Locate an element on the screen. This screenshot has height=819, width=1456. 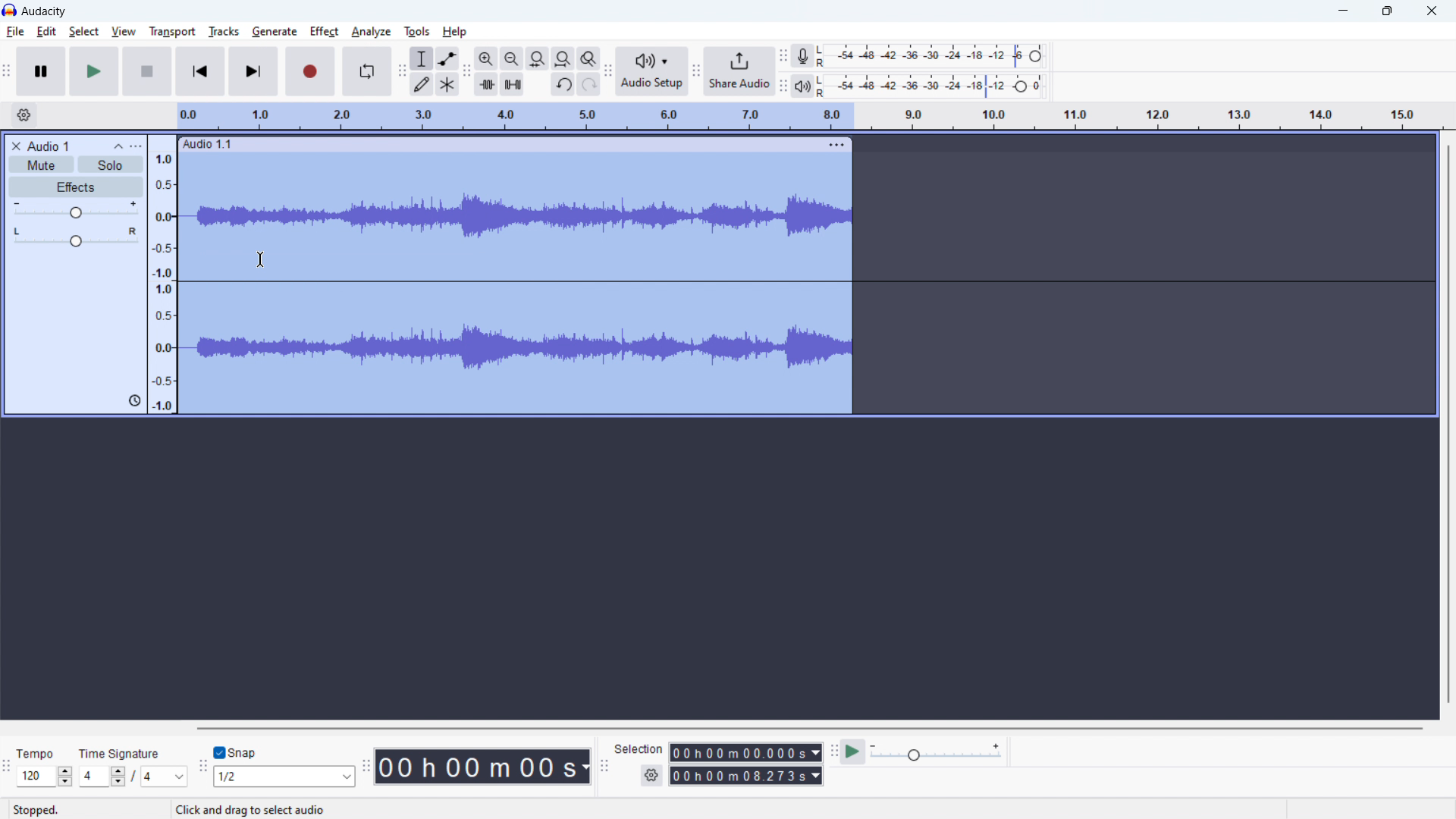
Click and drag to select audio is located at coordinates (317, 808).